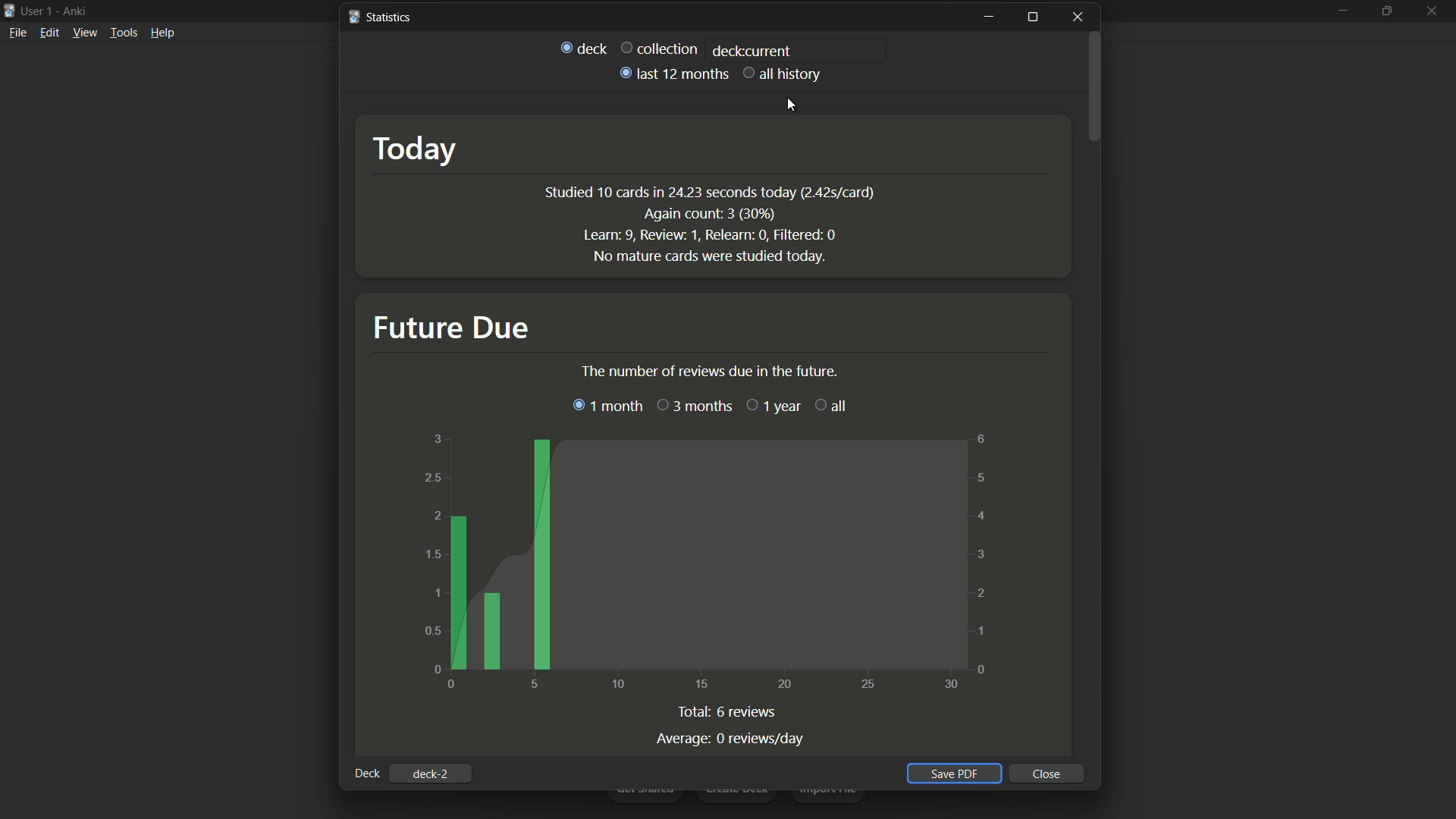 The image size is (1456, 819). Describe the element at coordinates (957, 773) in the screenshot. I see `Save PDF` at that location.